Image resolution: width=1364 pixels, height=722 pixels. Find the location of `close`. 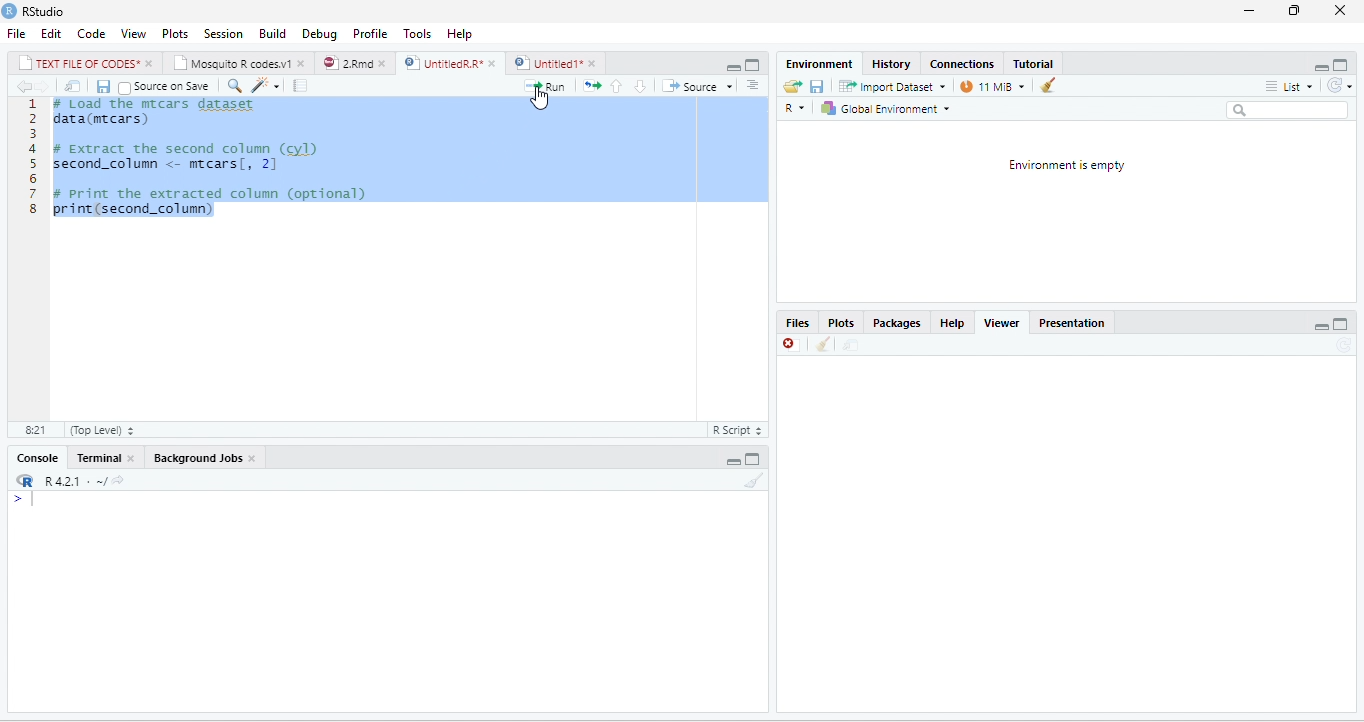

close is located at coordinates (150, 62).